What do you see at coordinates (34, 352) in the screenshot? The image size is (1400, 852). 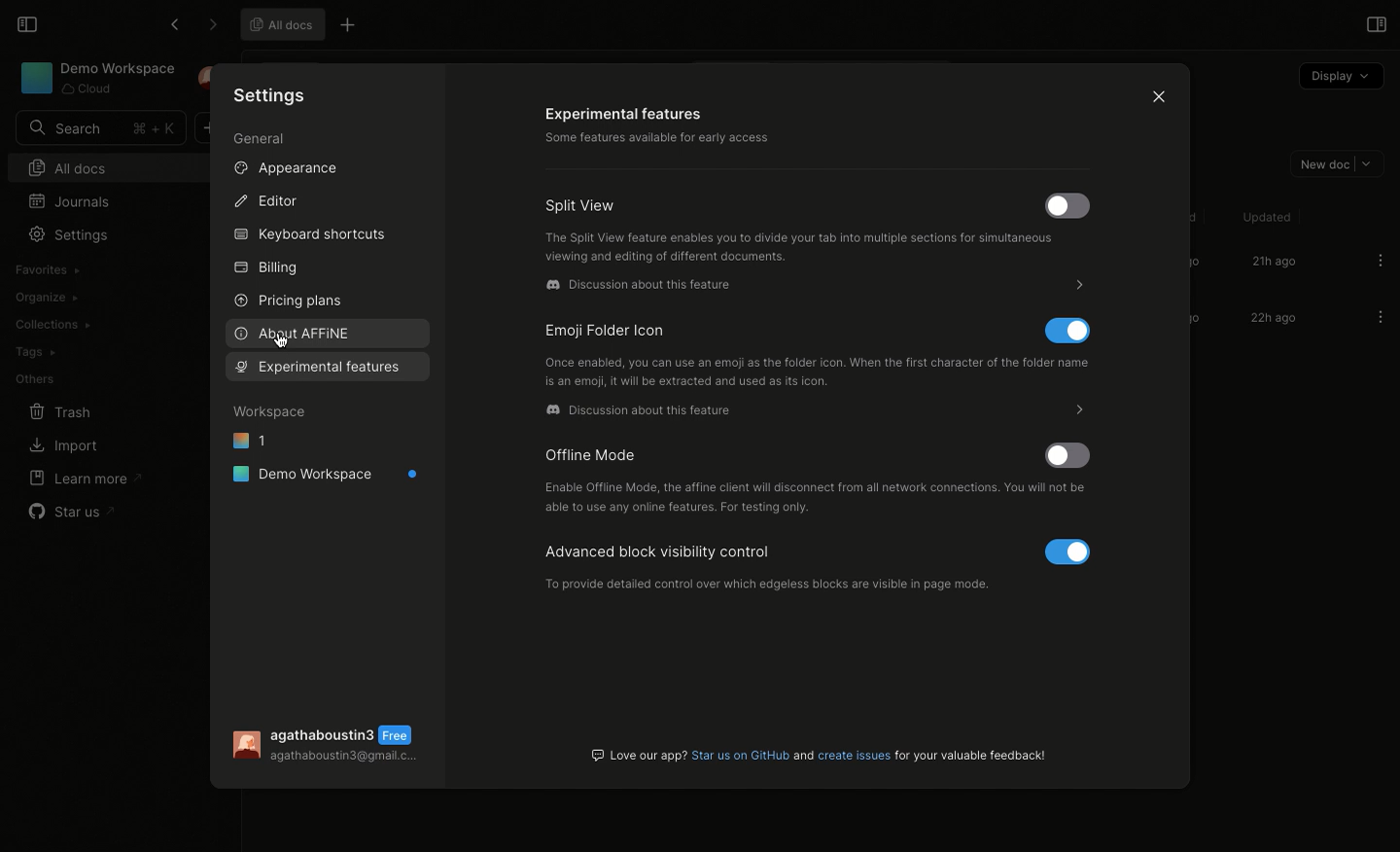 I see `Tags` at bounding box center [34, 352].